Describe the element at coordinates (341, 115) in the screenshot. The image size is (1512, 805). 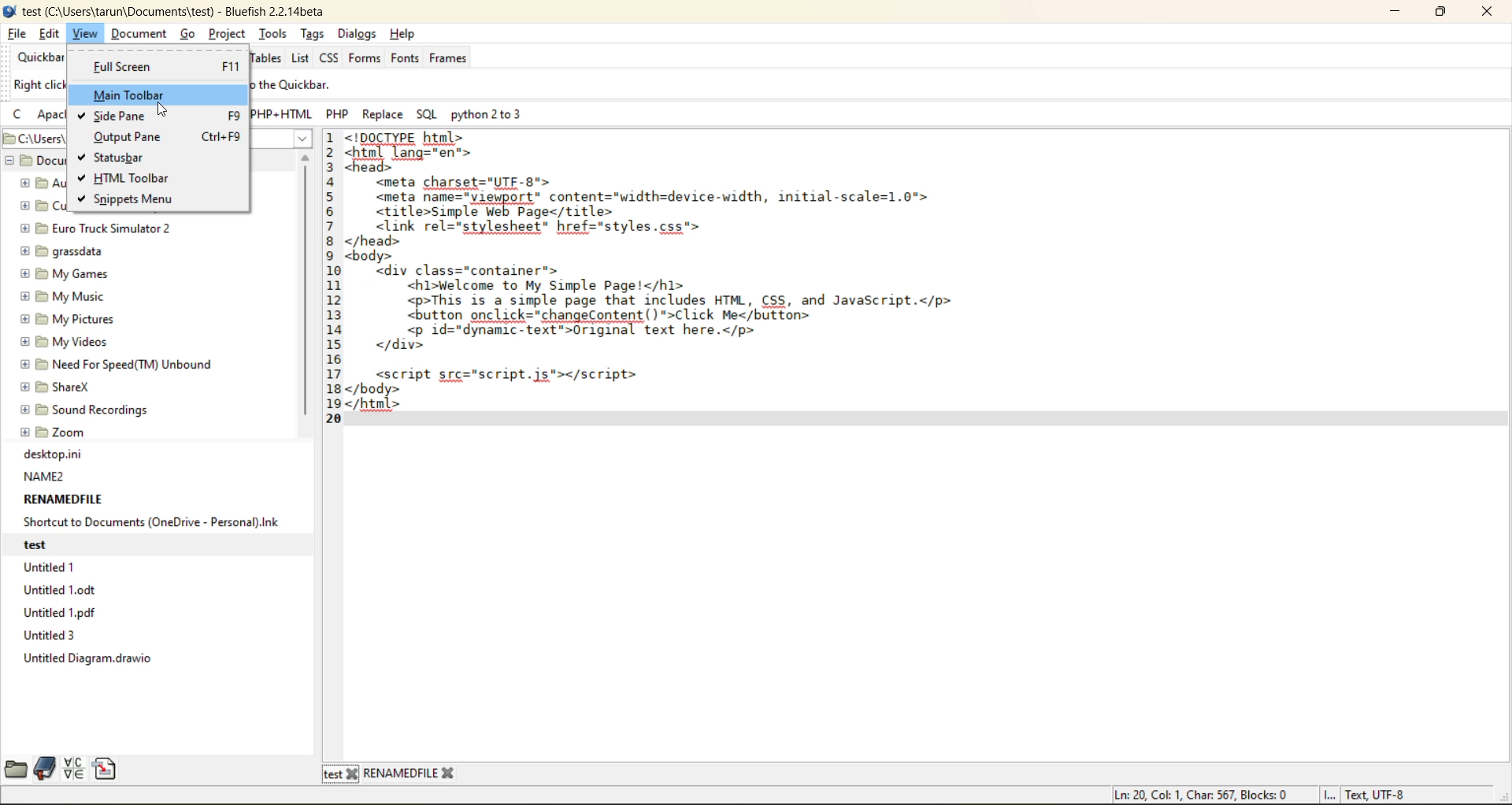
I see `php` at that location.